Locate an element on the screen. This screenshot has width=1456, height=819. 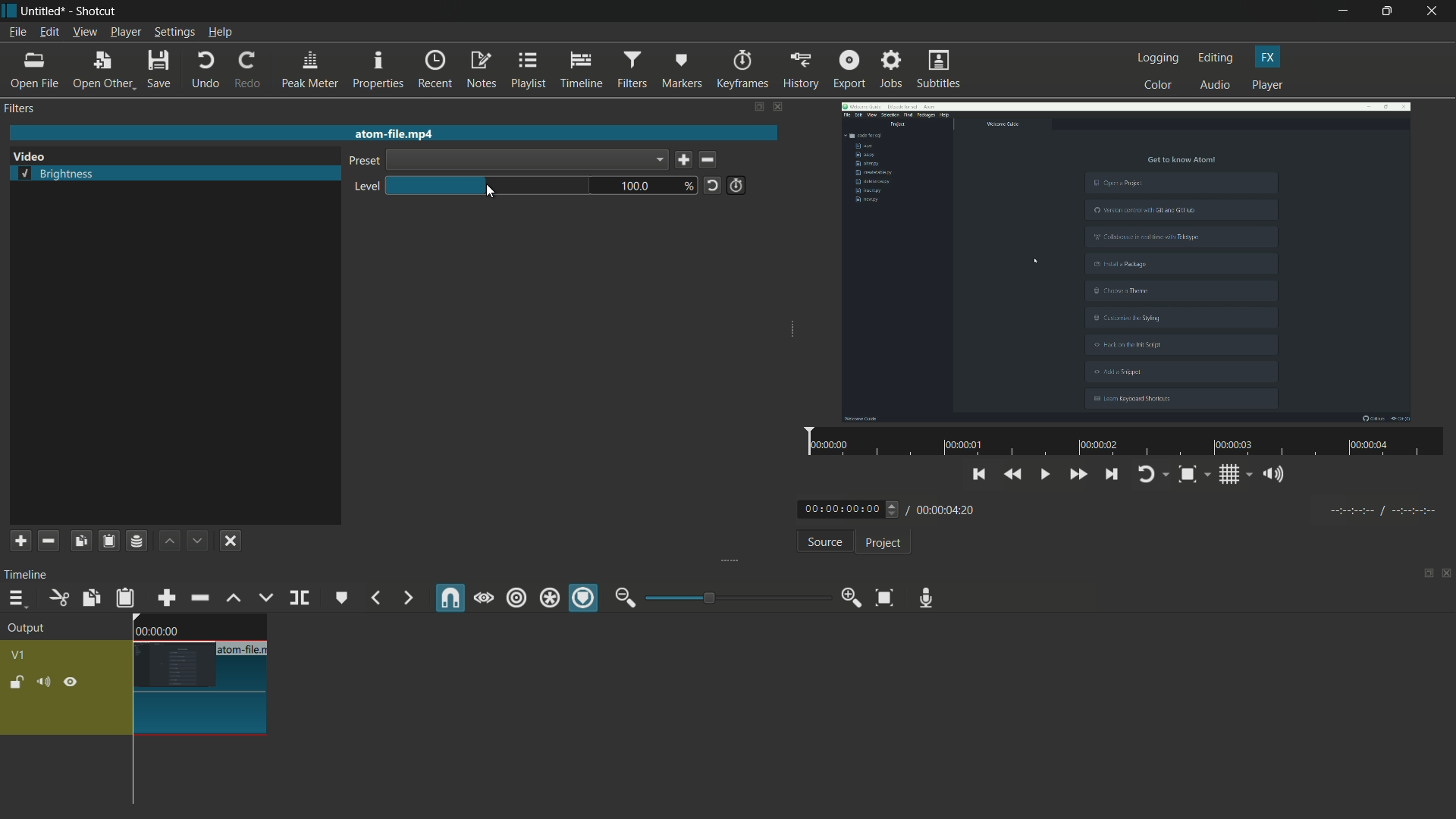
color is located at coordinates (1159, 84).